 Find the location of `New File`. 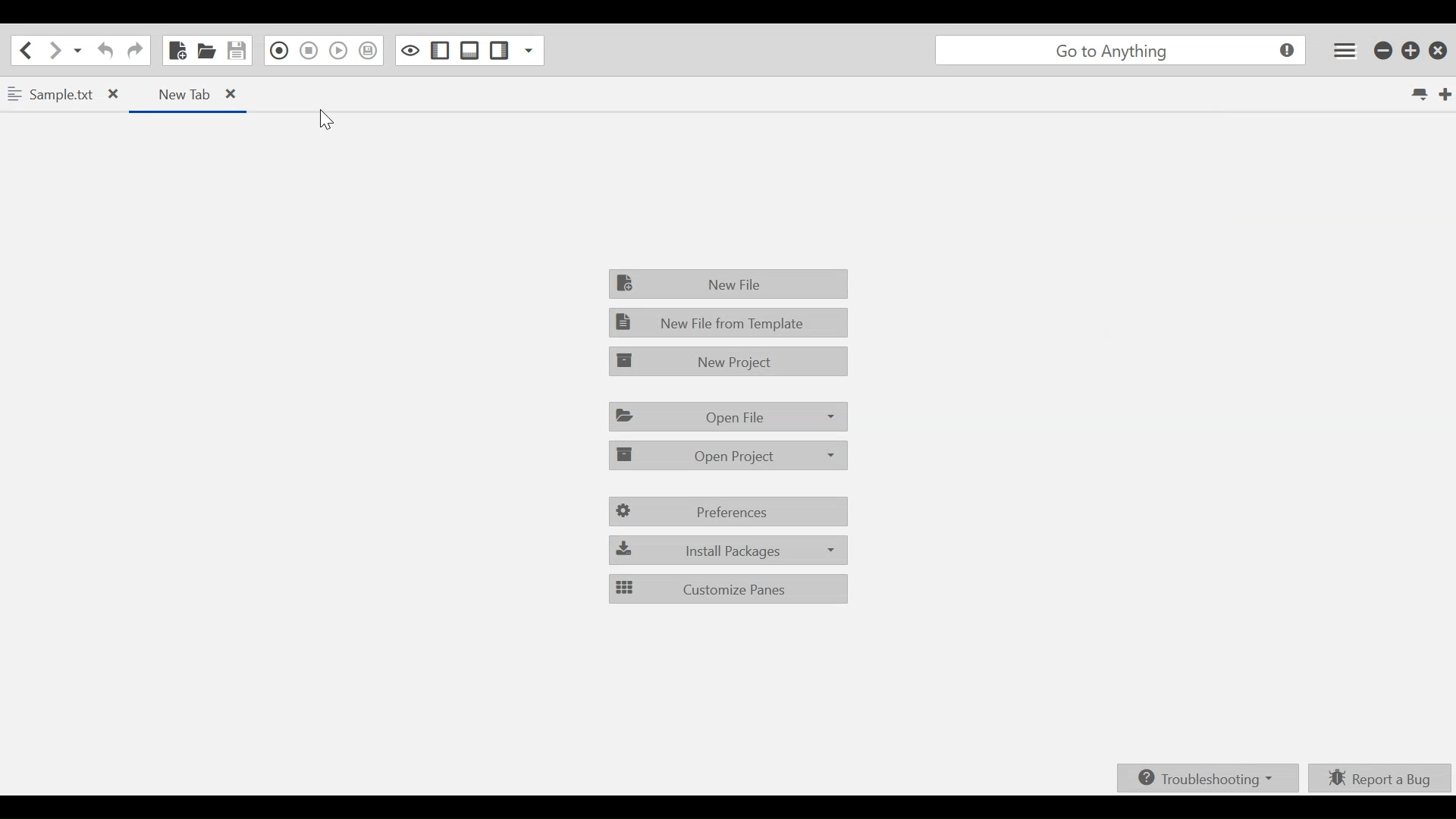

New File is located at coordinates (727, 284).